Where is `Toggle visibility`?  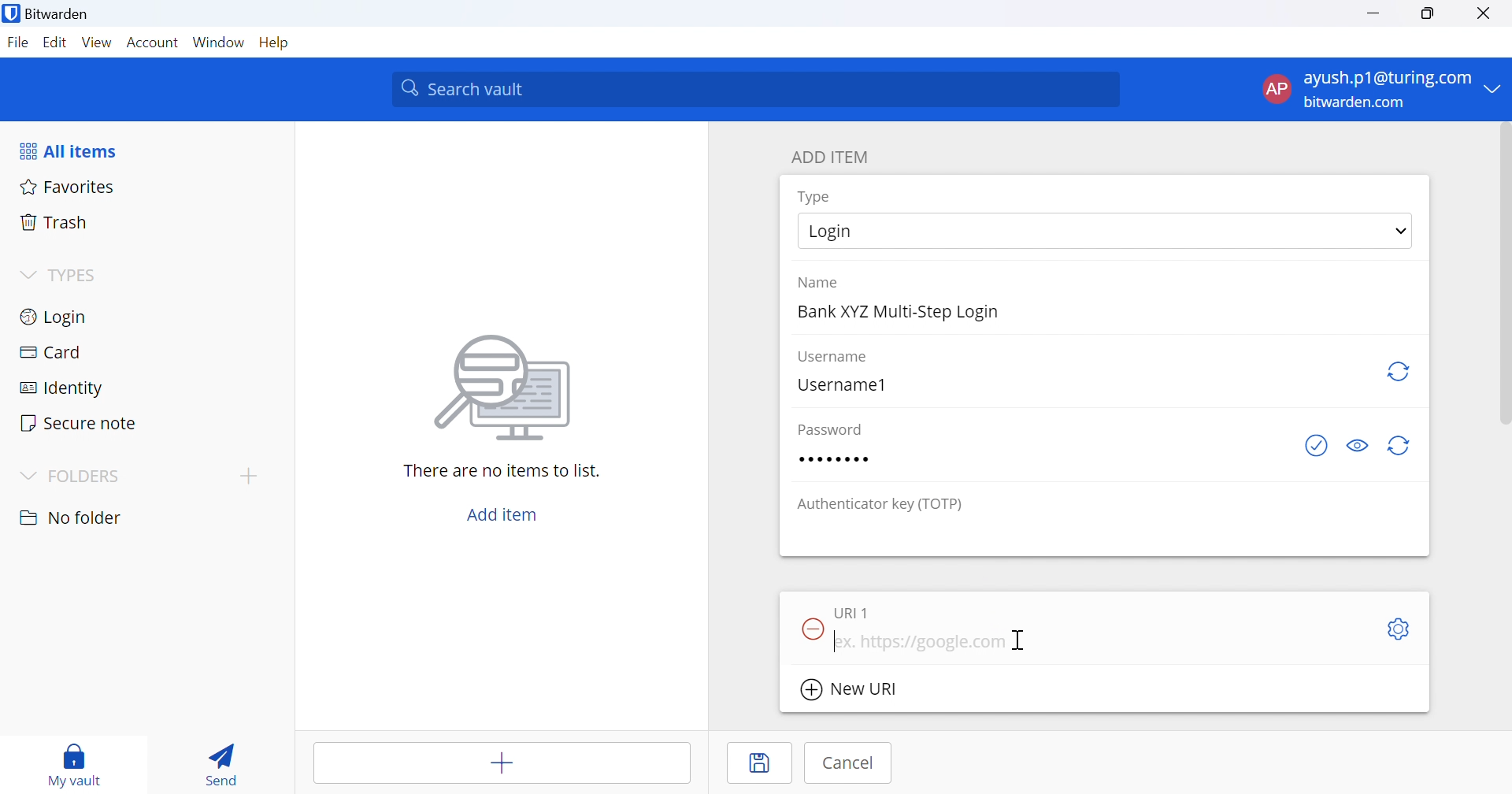
Toggle visibility is located at coordinates (1357, 446).